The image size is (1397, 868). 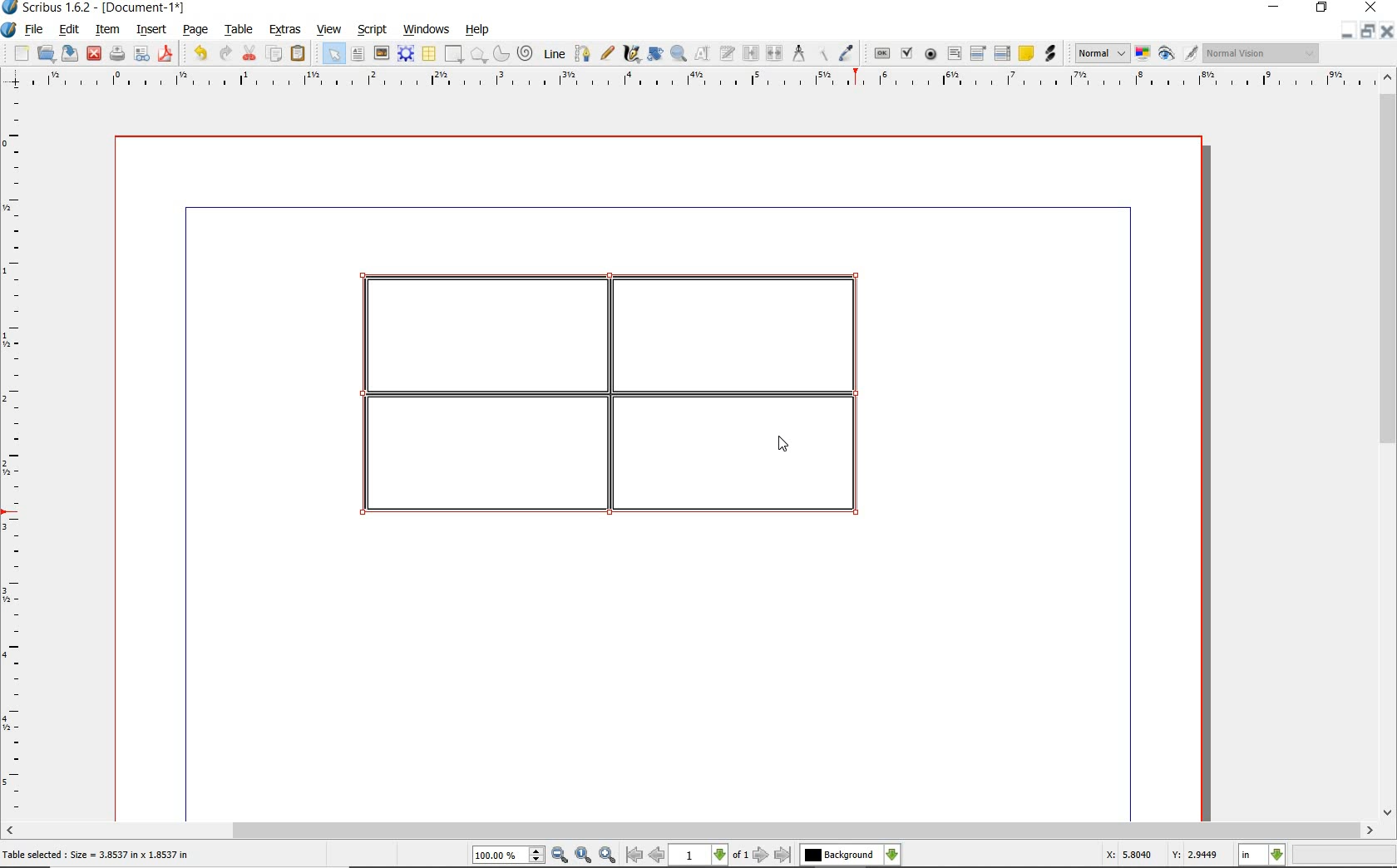 What do you see at coordinates (728, 52) in the screenshot?
I see `edit text with story editor` at bounding box center [728, 52].